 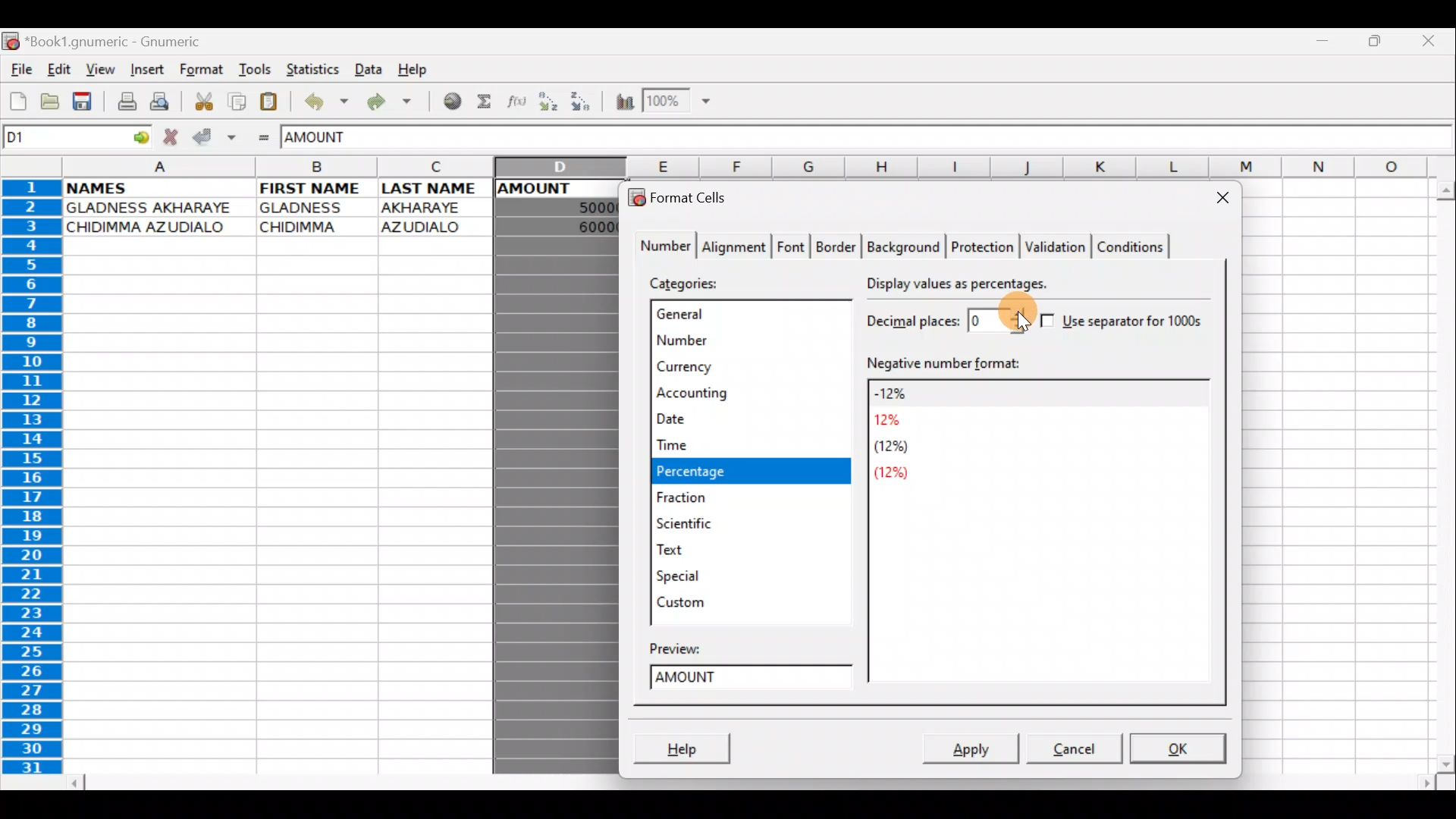 I want to click on OK, so click(x=1178, y=749).